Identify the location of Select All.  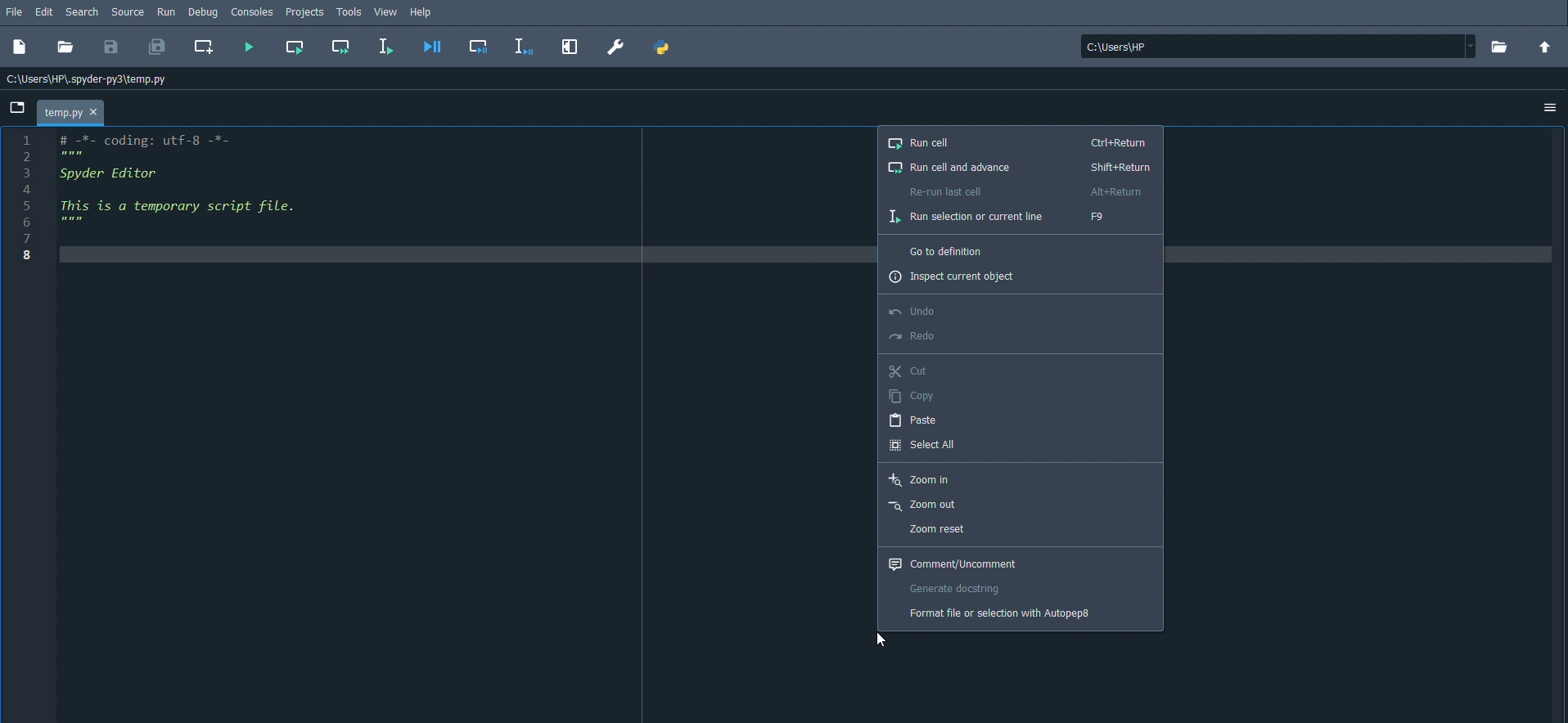
(925, 442).